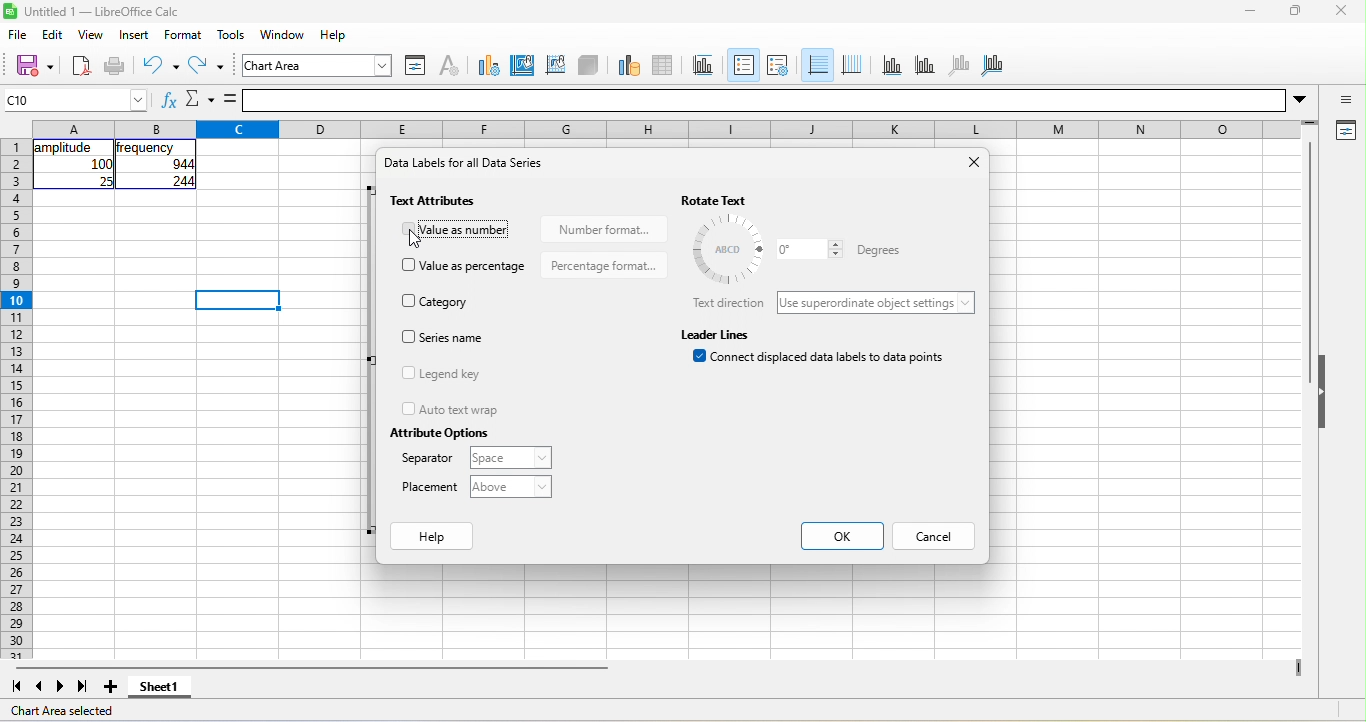  What do you see at coordinates (876, 252) in the screenshot?
I see `degrees` at bounding box center [876, 252].